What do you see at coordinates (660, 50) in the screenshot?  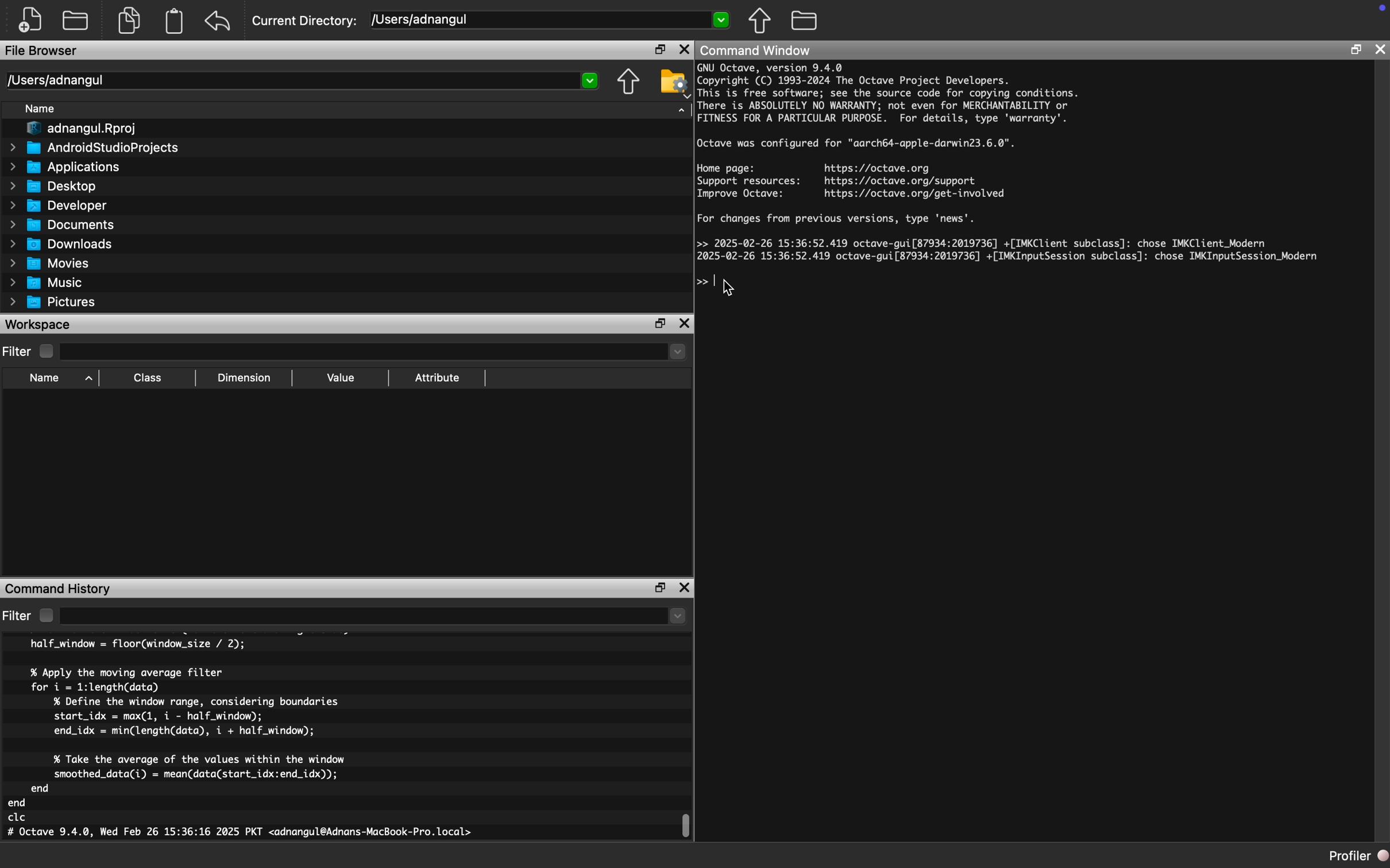 I see `Restore Down` at bounding box center [660, 50].